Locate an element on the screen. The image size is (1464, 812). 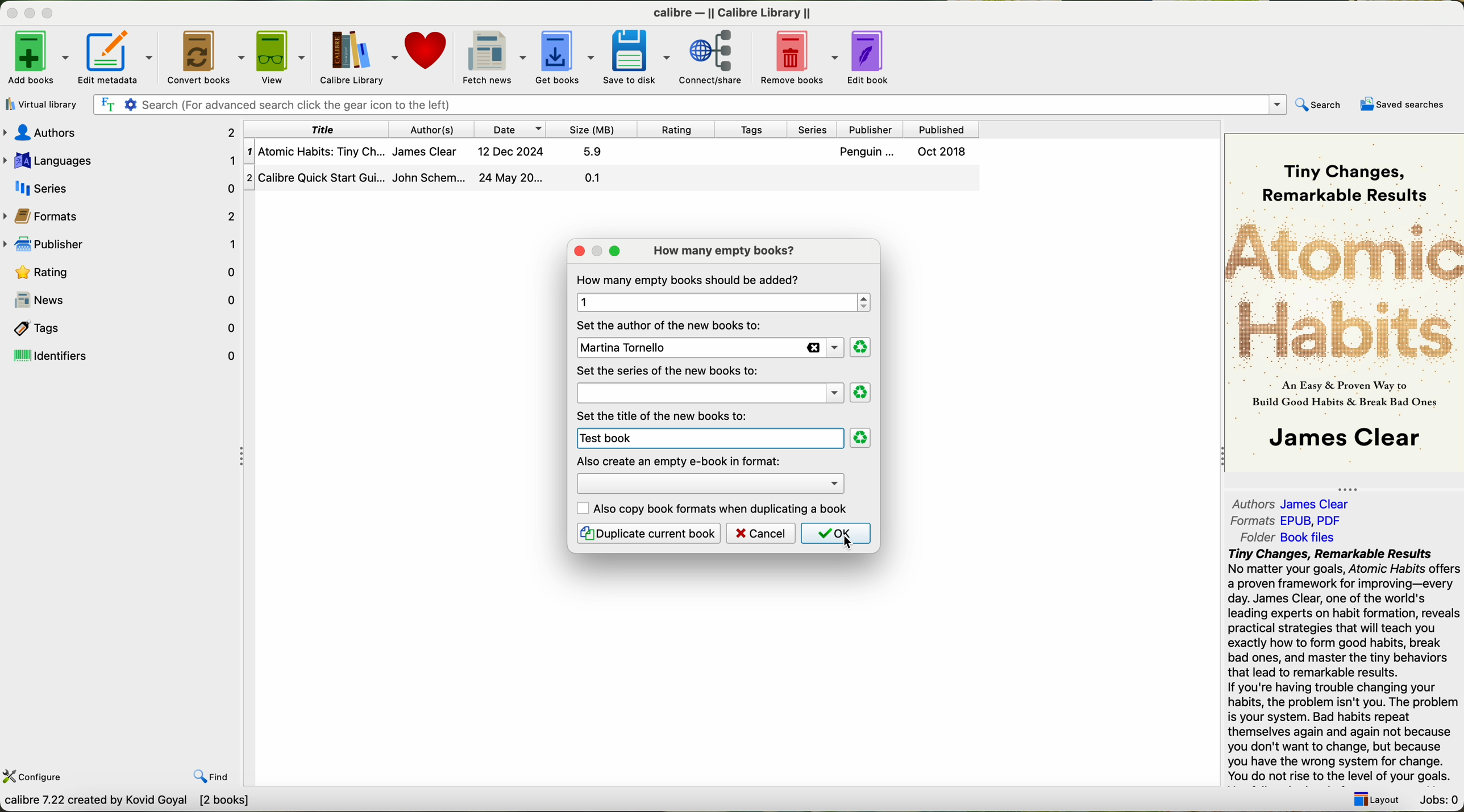
formats is located at coordinates (1287, 520).